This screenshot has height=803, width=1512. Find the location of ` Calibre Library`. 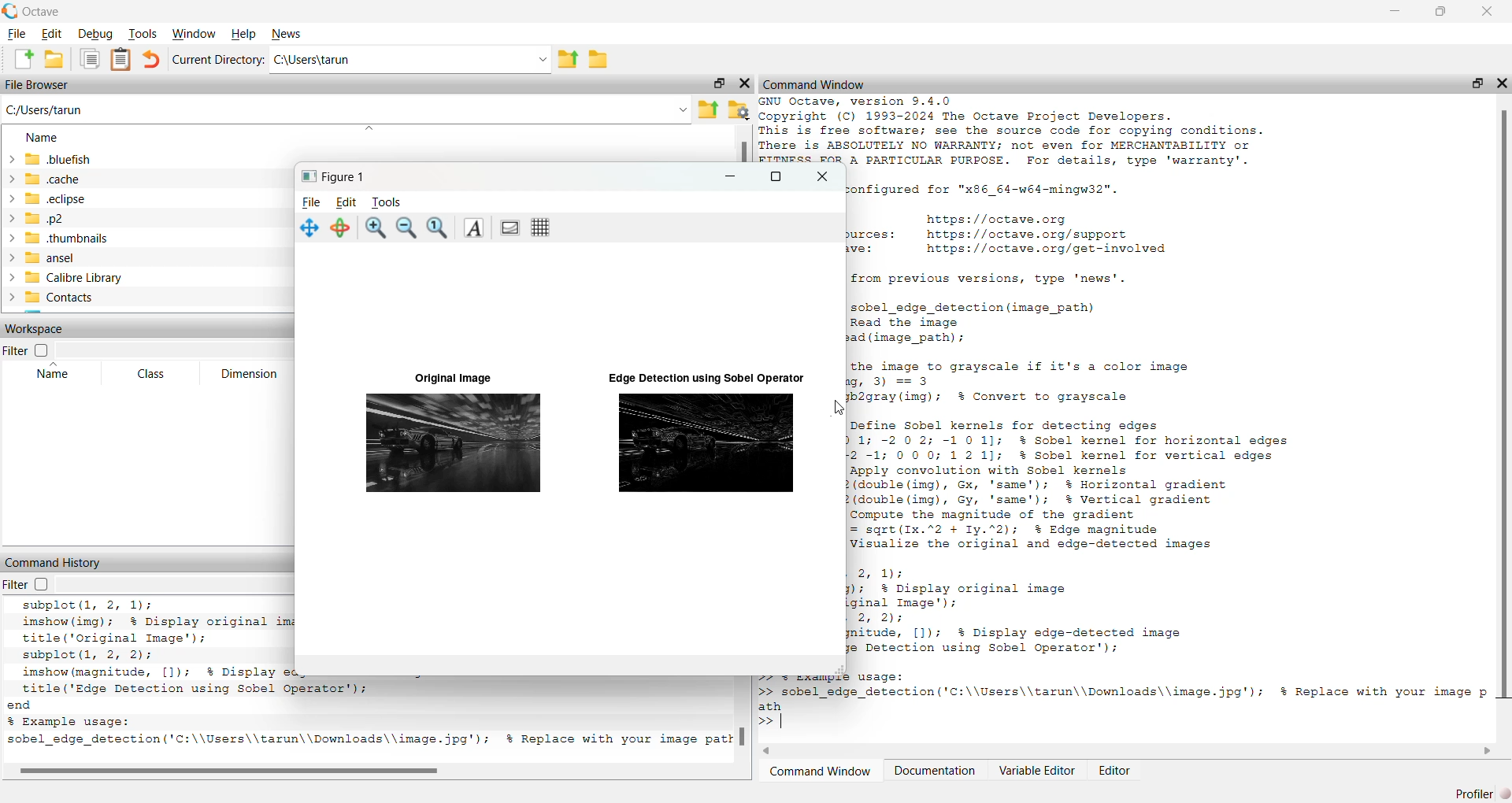

 Calibre Library is located at coordinates (72, 276).